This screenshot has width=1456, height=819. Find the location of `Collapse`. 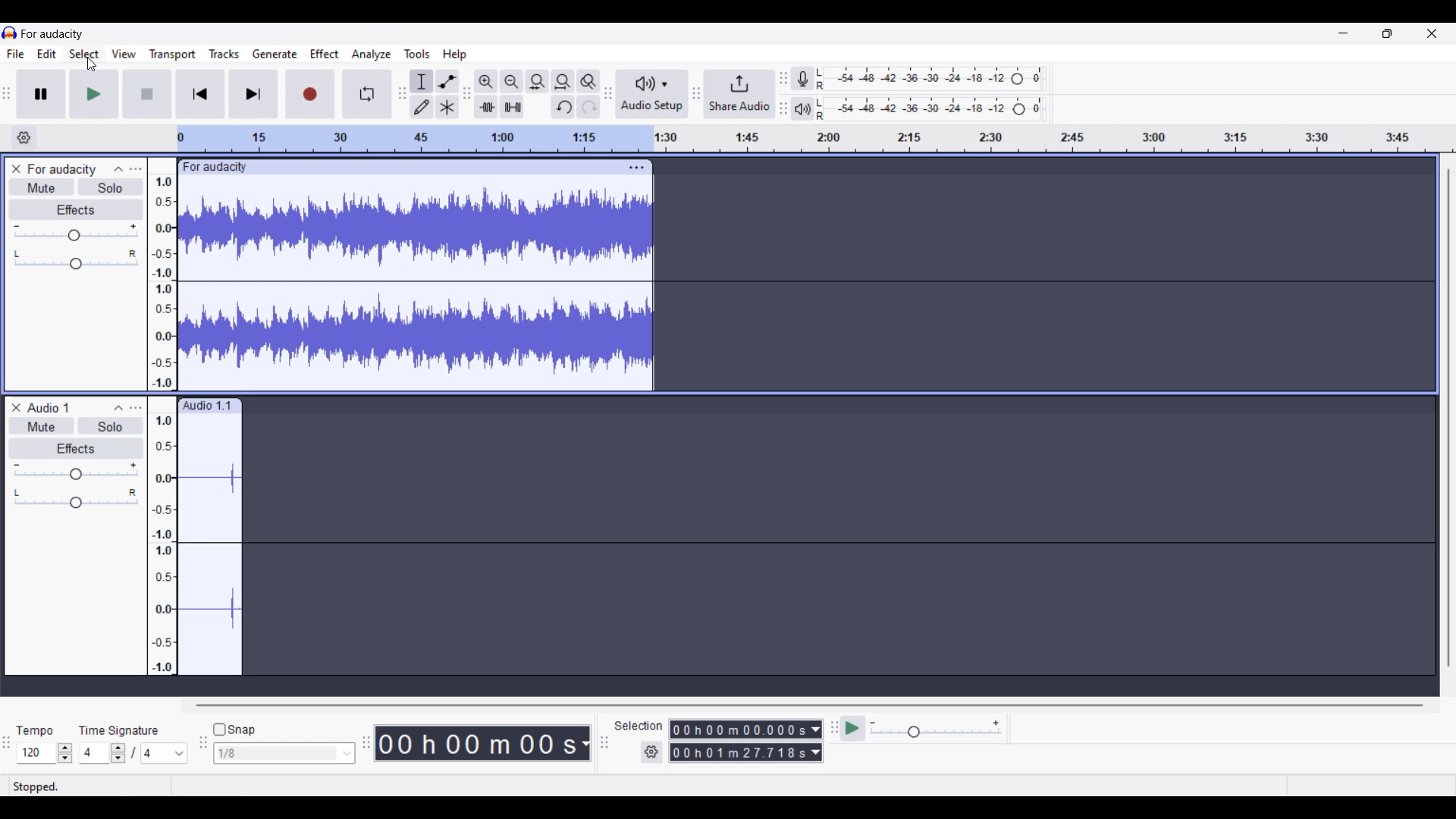

Collapse is located at coordinates (118, 168).